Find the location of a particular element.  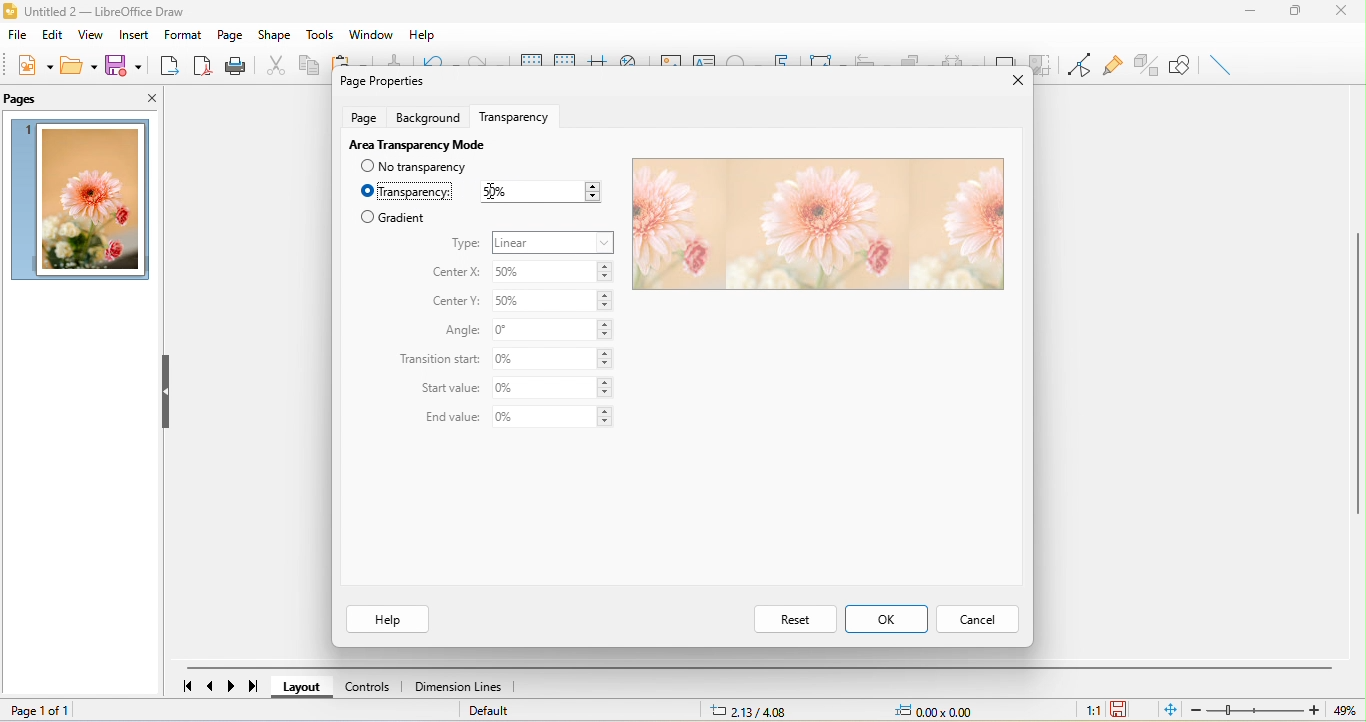

cancel is located at coordinates (976, 621).